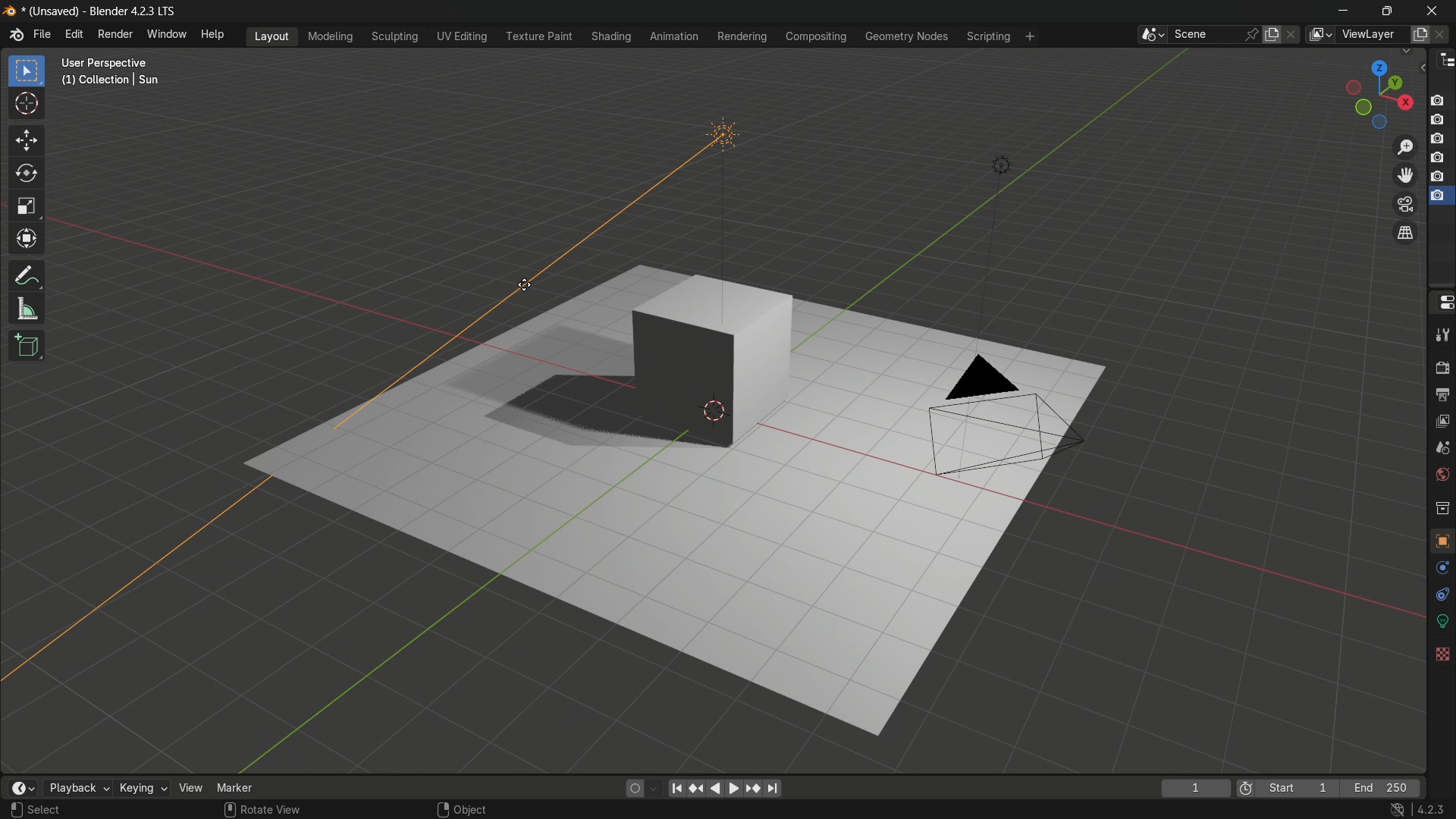 The height and width of the screenshot is (819, 1456). Describe the element at coordinates (752, 789) in the screenshot. I see `jump to keyframe` at that location.